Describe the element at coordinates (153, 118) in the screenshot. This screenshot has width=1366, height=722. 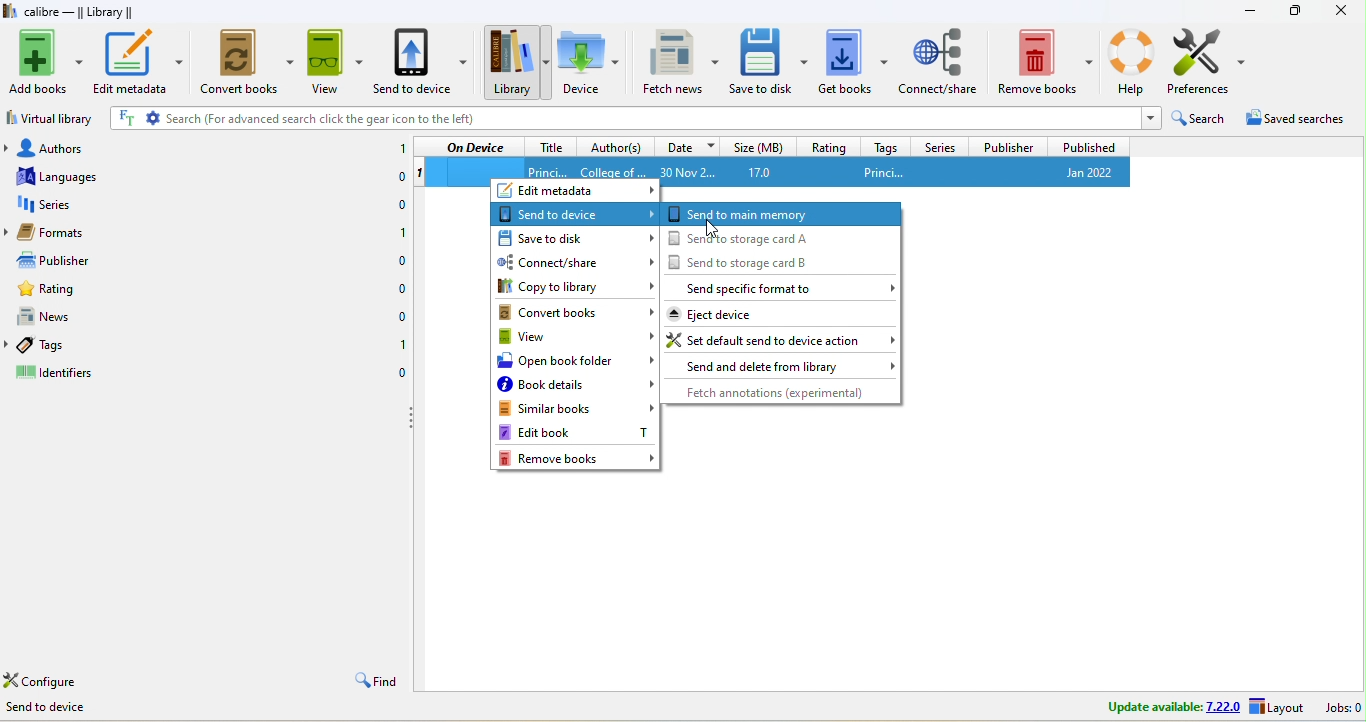
I see `settings` at that location.